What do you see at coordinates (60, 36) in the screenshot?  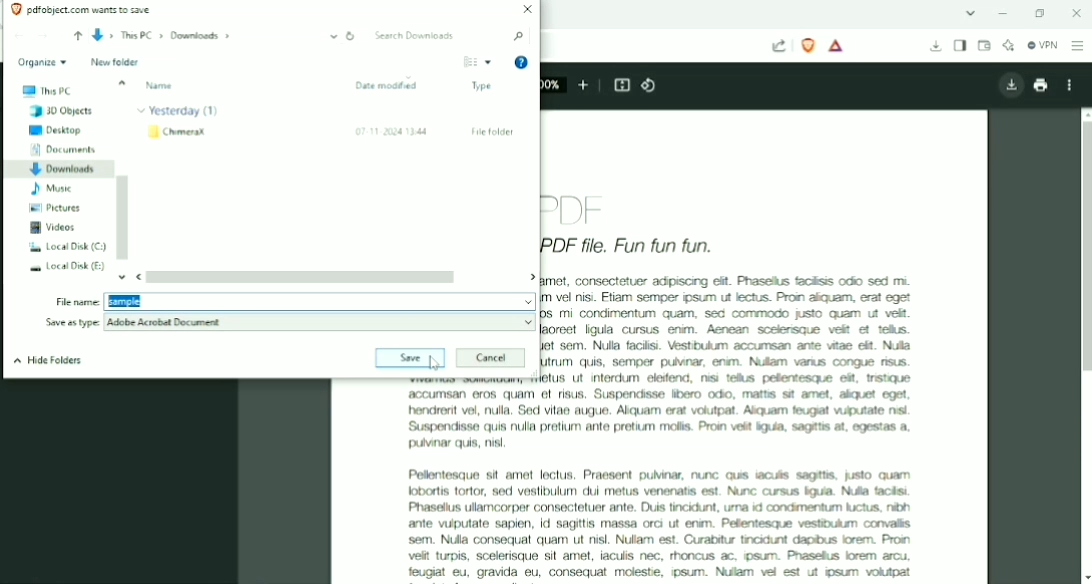 I see `Recent locations` at bounding box center [60, 36].